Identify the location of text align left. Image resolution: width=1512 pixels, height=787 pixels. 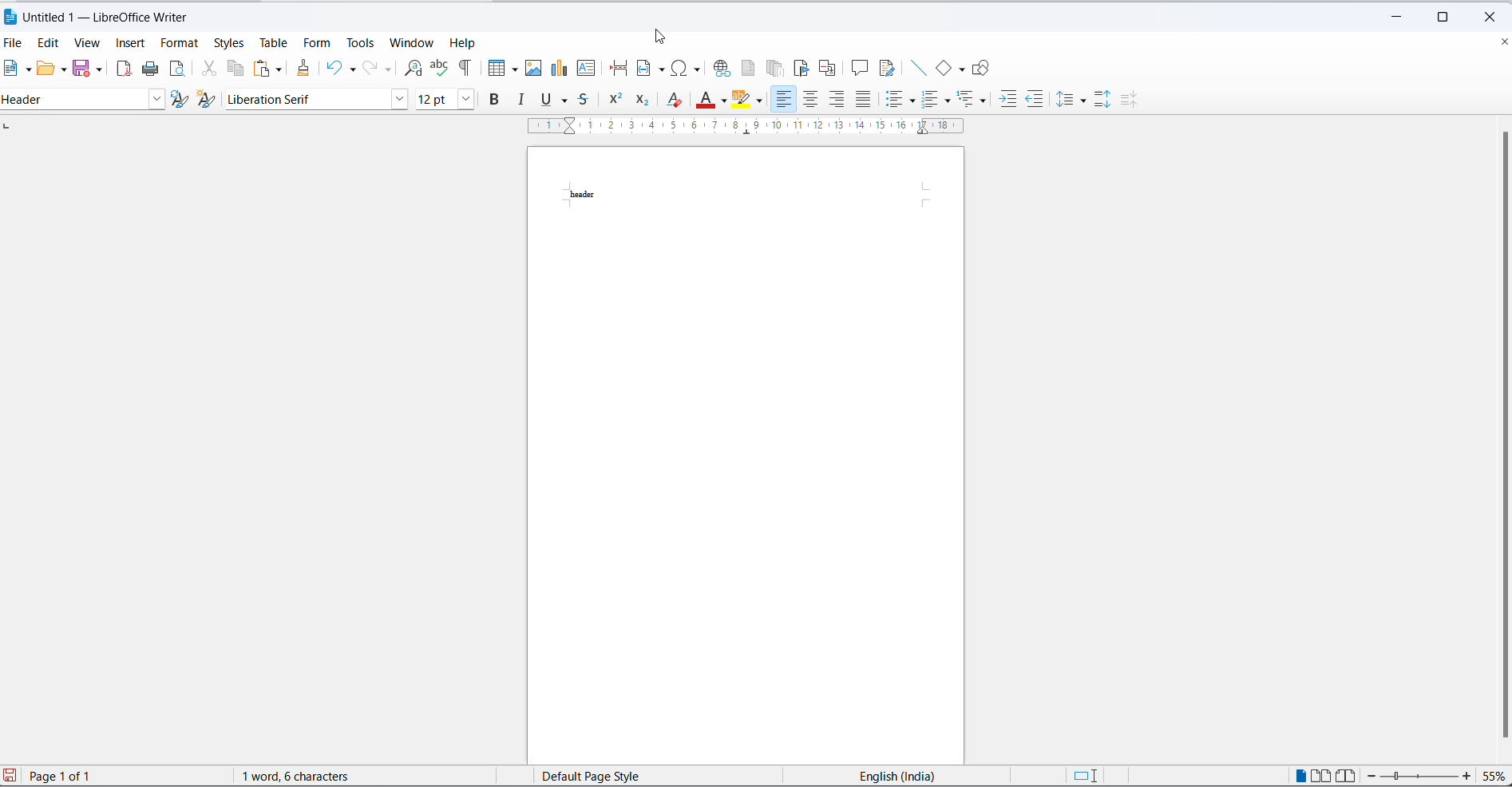
(836, 99).